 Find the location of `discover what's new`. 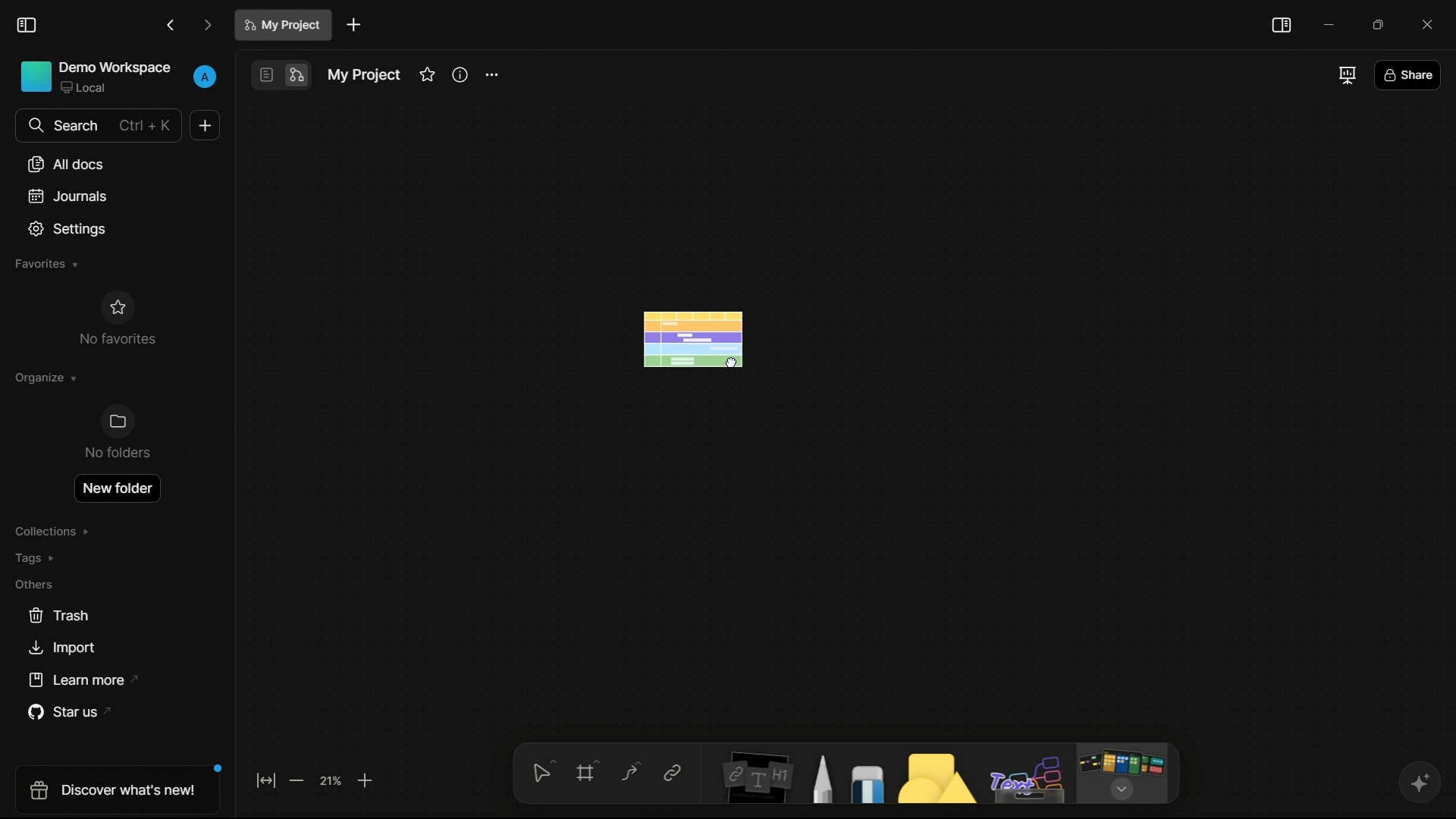

discover what's new is located at coordinates (111, 788).